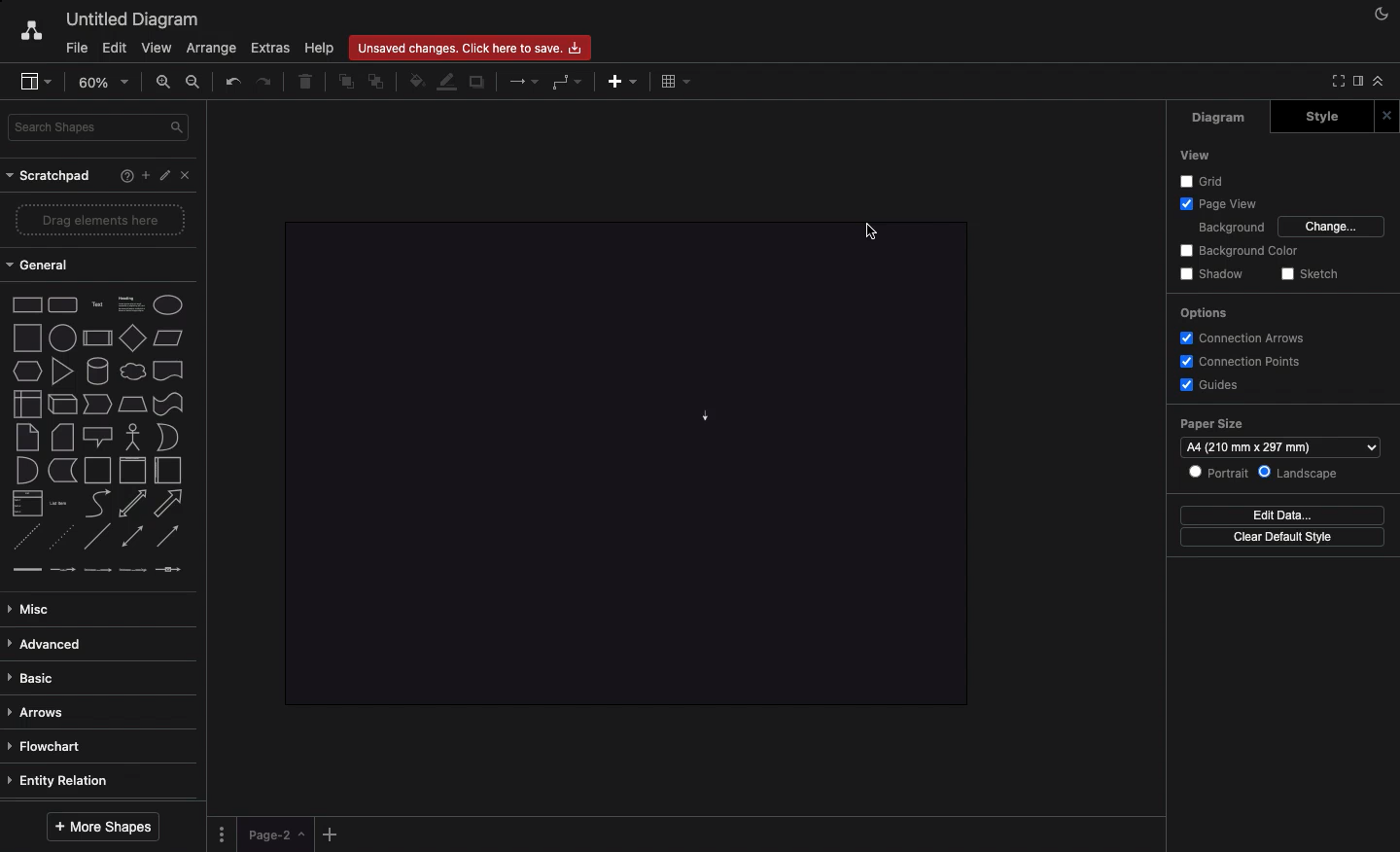 This screenshot has width=1400, height=852. I want to click on Zoom, so click(103, 81).